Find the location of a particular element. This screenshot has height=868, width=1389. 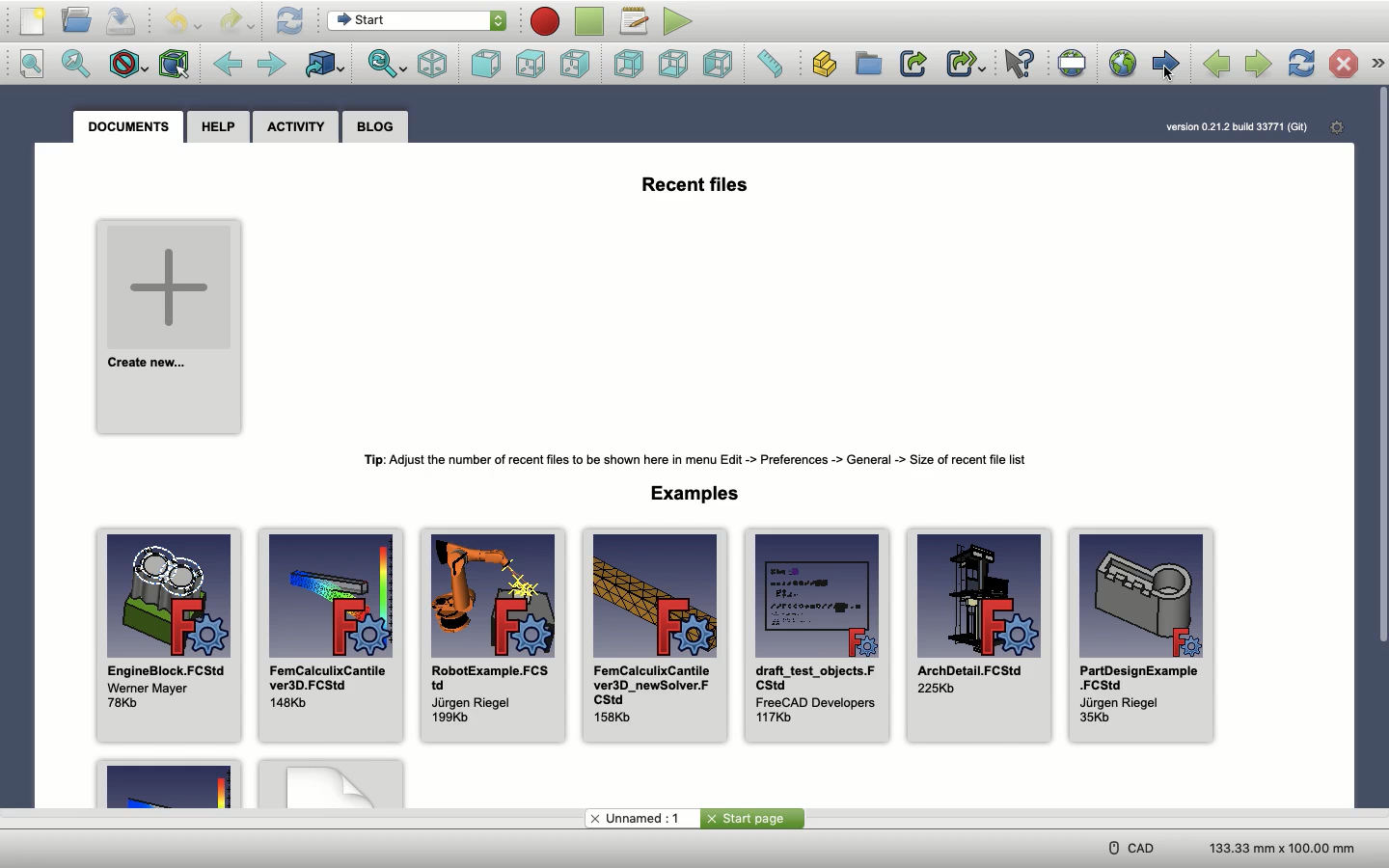

Version is located at coordinates (1238, 126).